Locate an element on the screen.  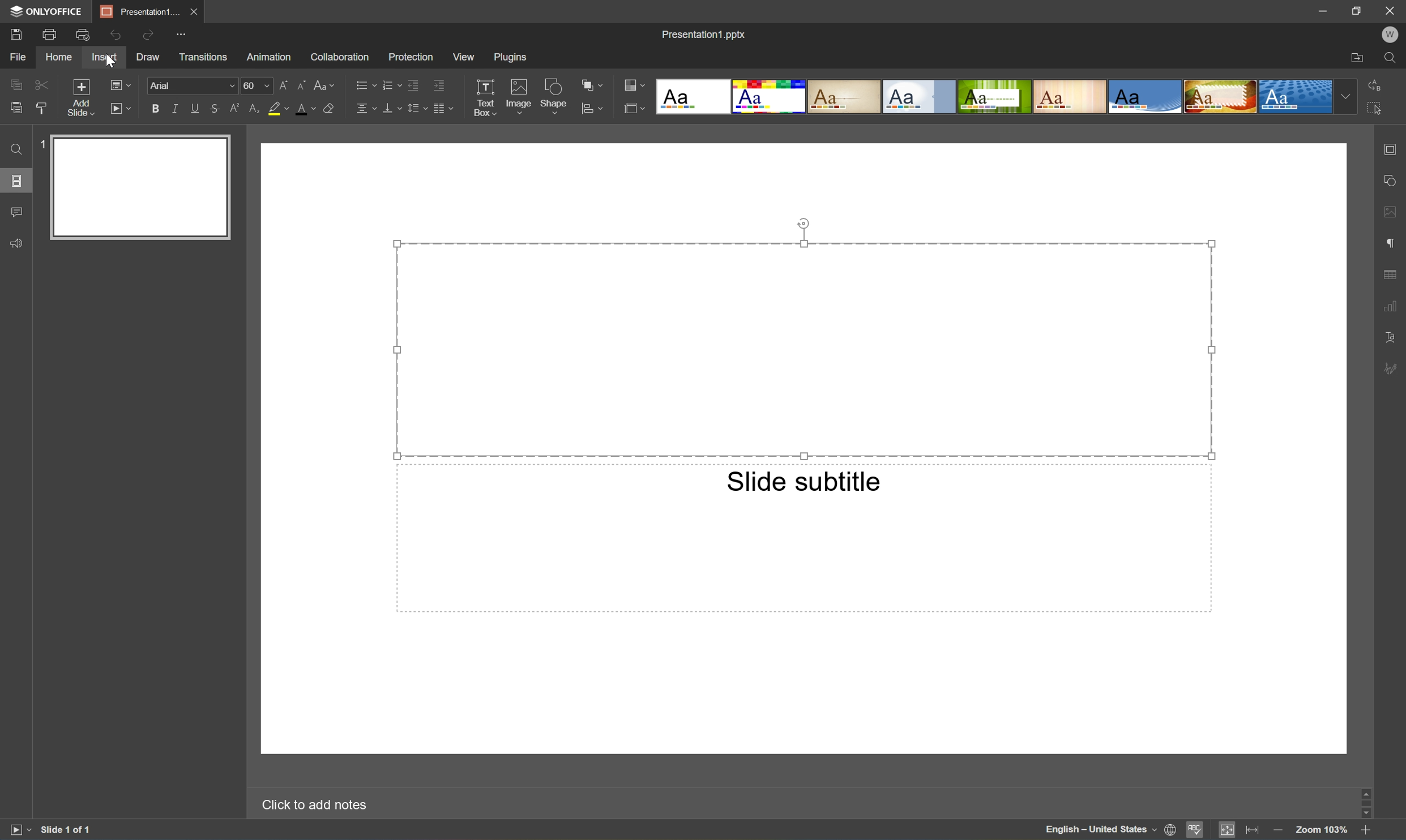
Numbering is located at coordinates (392, 84).